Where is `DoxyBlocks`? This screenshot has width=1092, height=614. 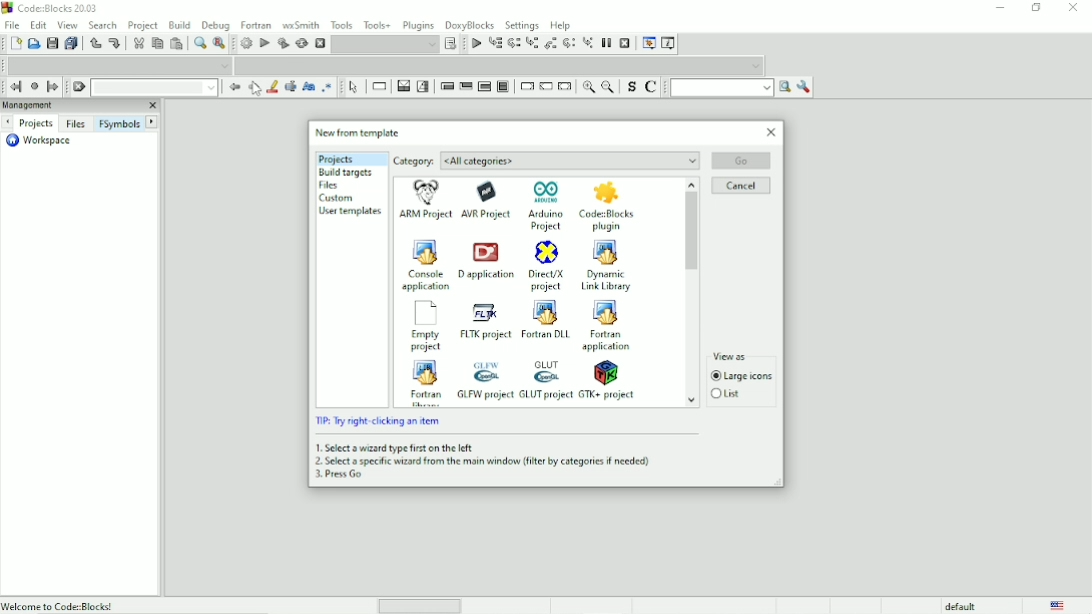
DoxyBlocks is located at coordinates (470, 24).